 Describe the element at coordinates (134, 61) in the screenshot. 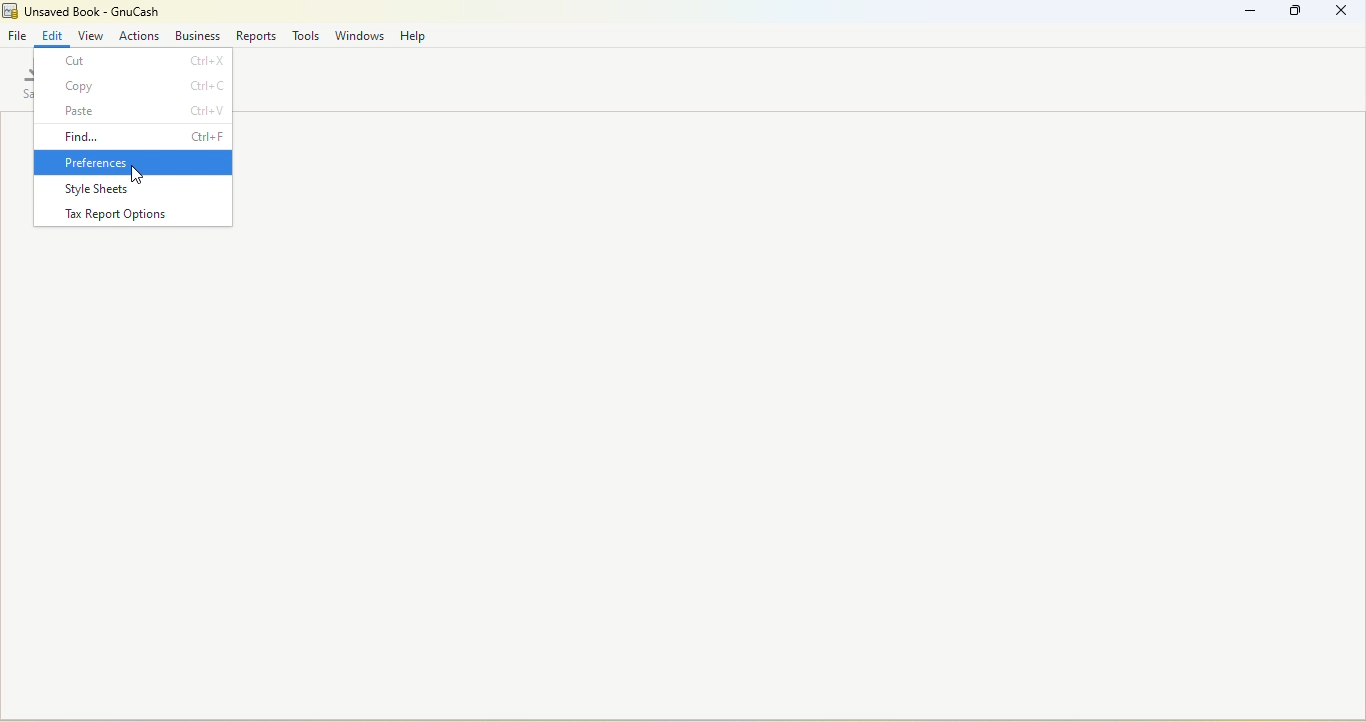

I see `Cut` at that location.